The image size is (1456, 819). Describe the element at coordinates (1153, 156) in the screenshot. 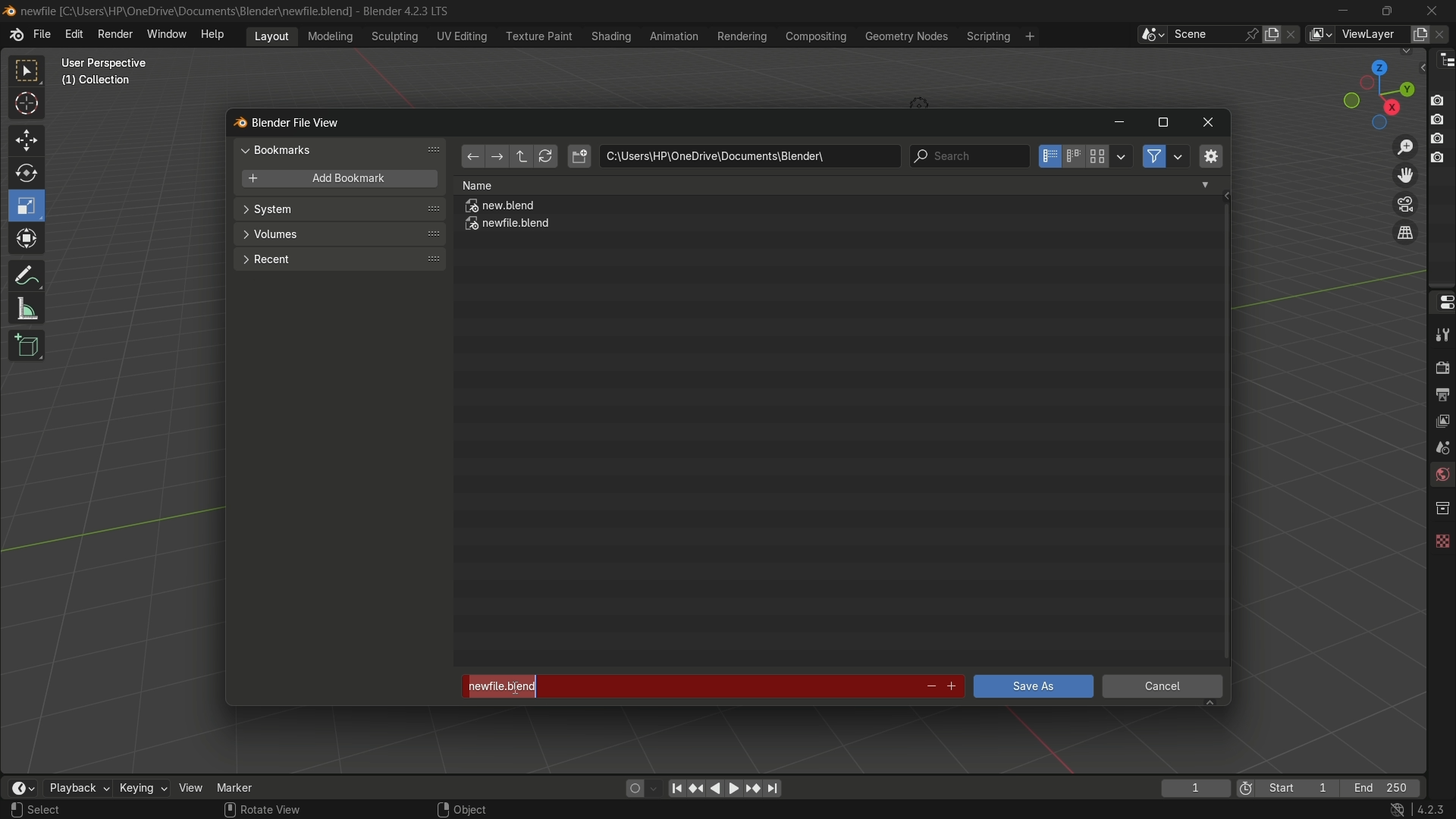

I see `filter files` at that location.